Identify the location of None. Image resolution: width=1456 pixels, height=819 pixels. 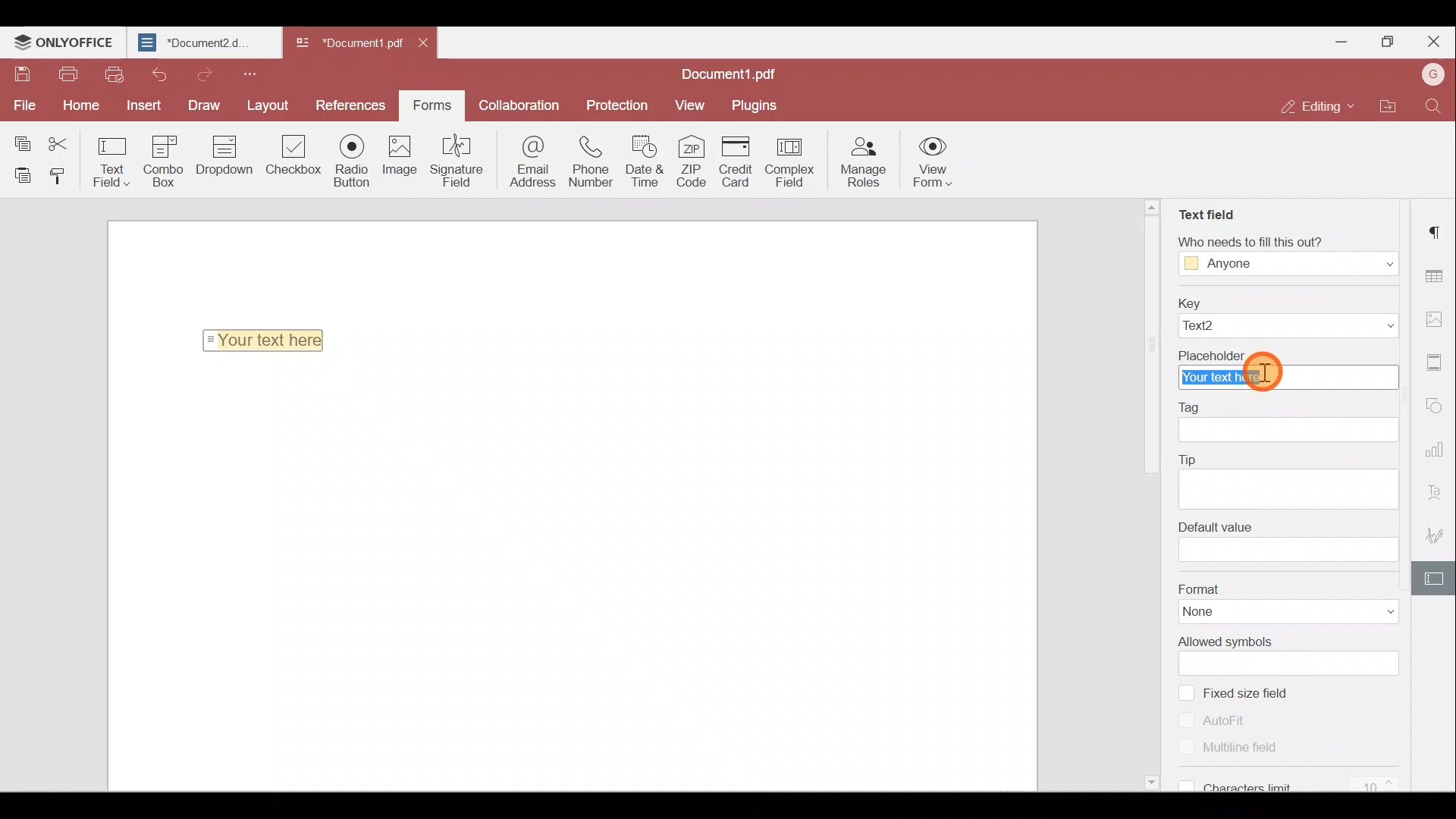
(1221, 613).